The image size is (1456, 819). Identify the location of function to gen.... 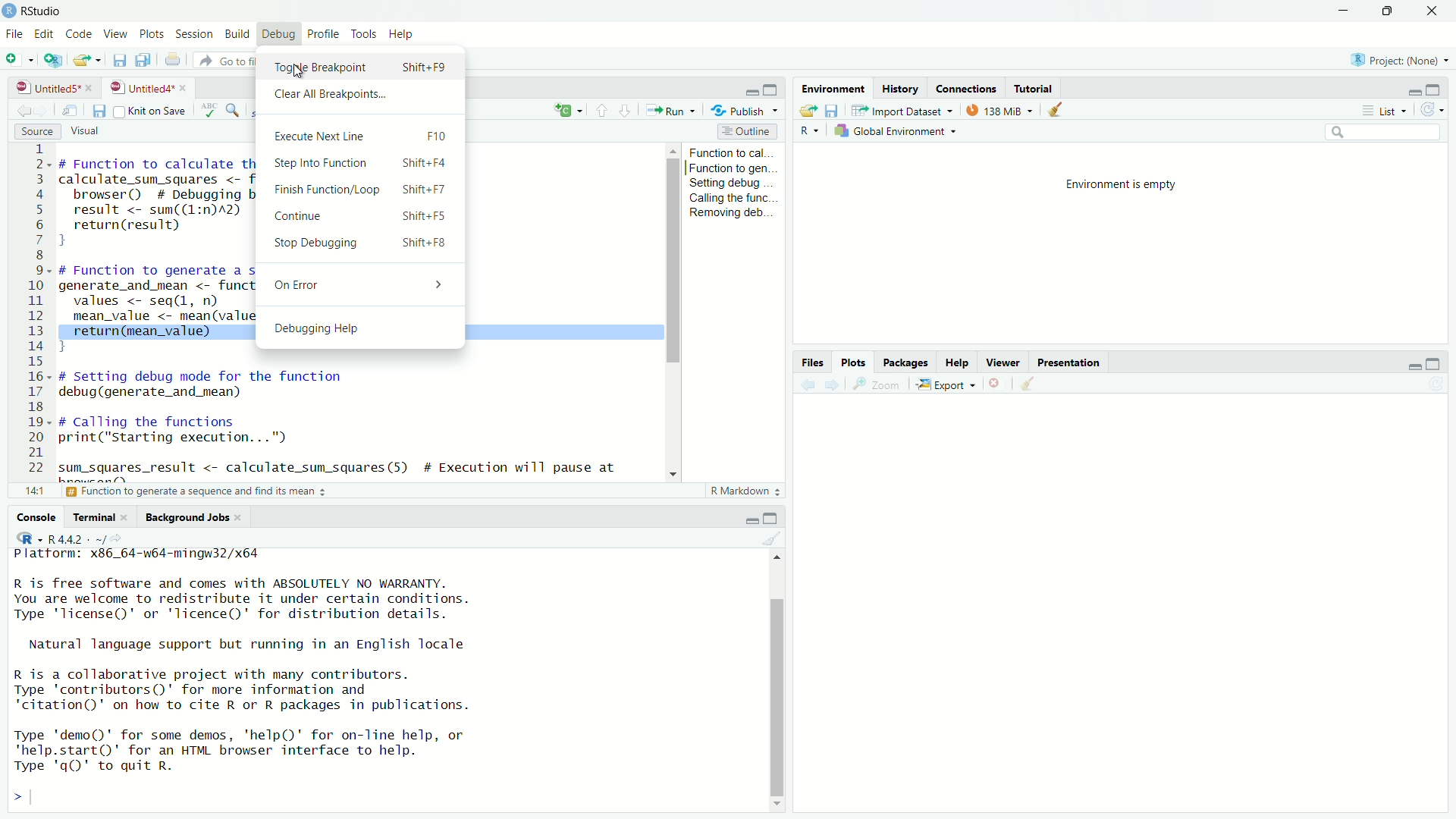
(730, 168).